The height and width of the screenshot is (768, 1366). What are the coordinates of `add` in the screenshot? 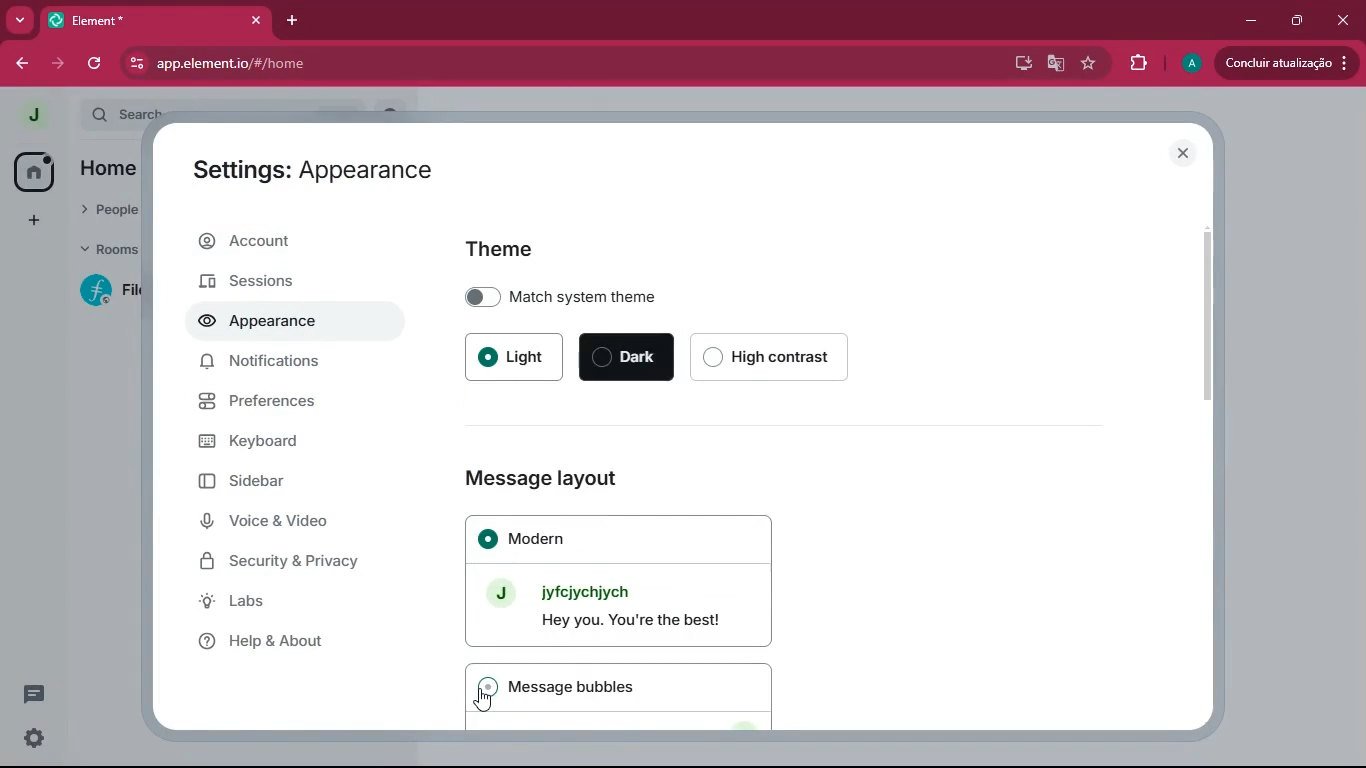 It's located at (34, 221).